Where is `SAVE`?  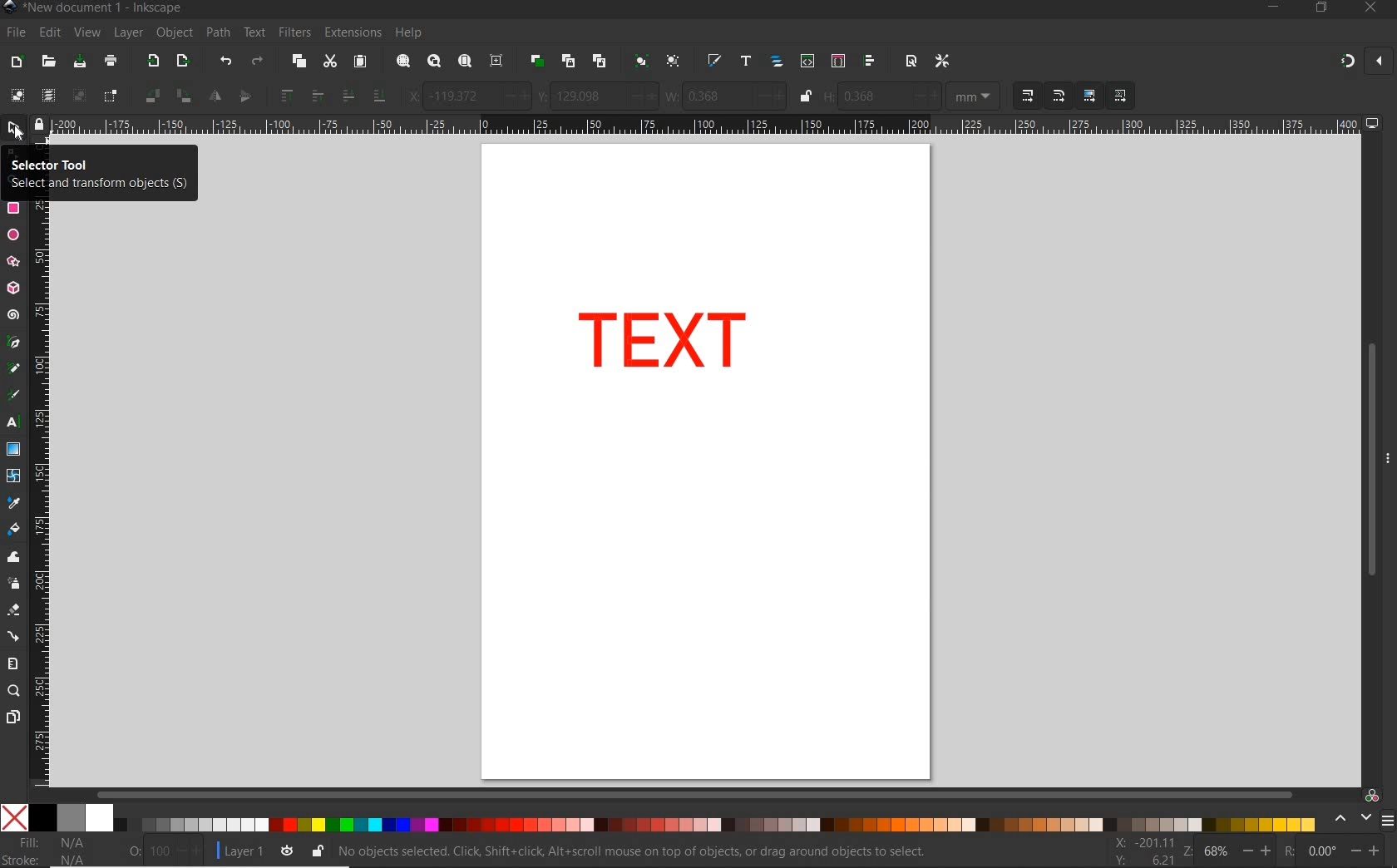 SAVE is located at coordinates (78, 62).